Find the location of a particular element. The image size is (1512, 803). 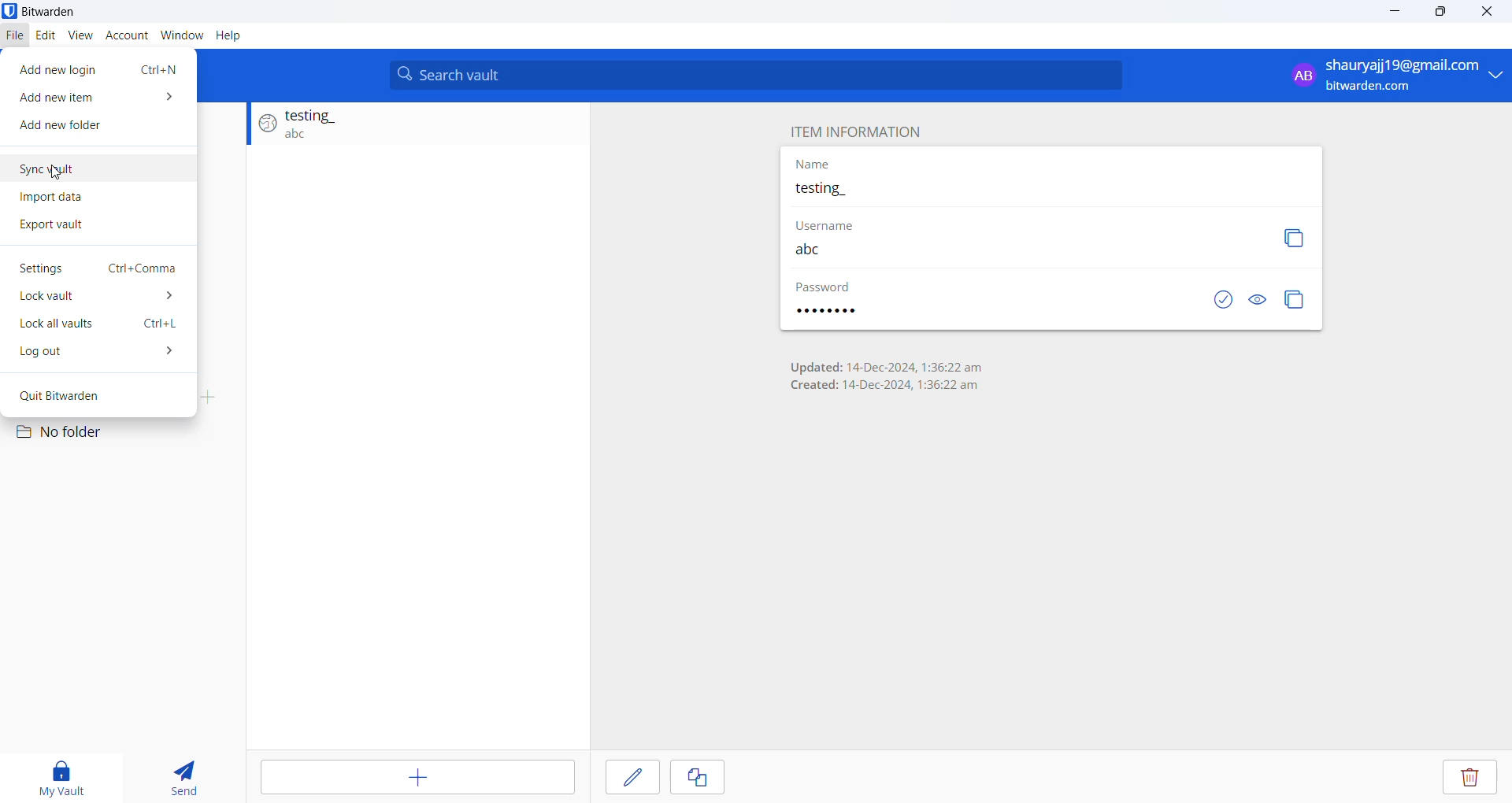

Window is located at coordinates (182, 33).